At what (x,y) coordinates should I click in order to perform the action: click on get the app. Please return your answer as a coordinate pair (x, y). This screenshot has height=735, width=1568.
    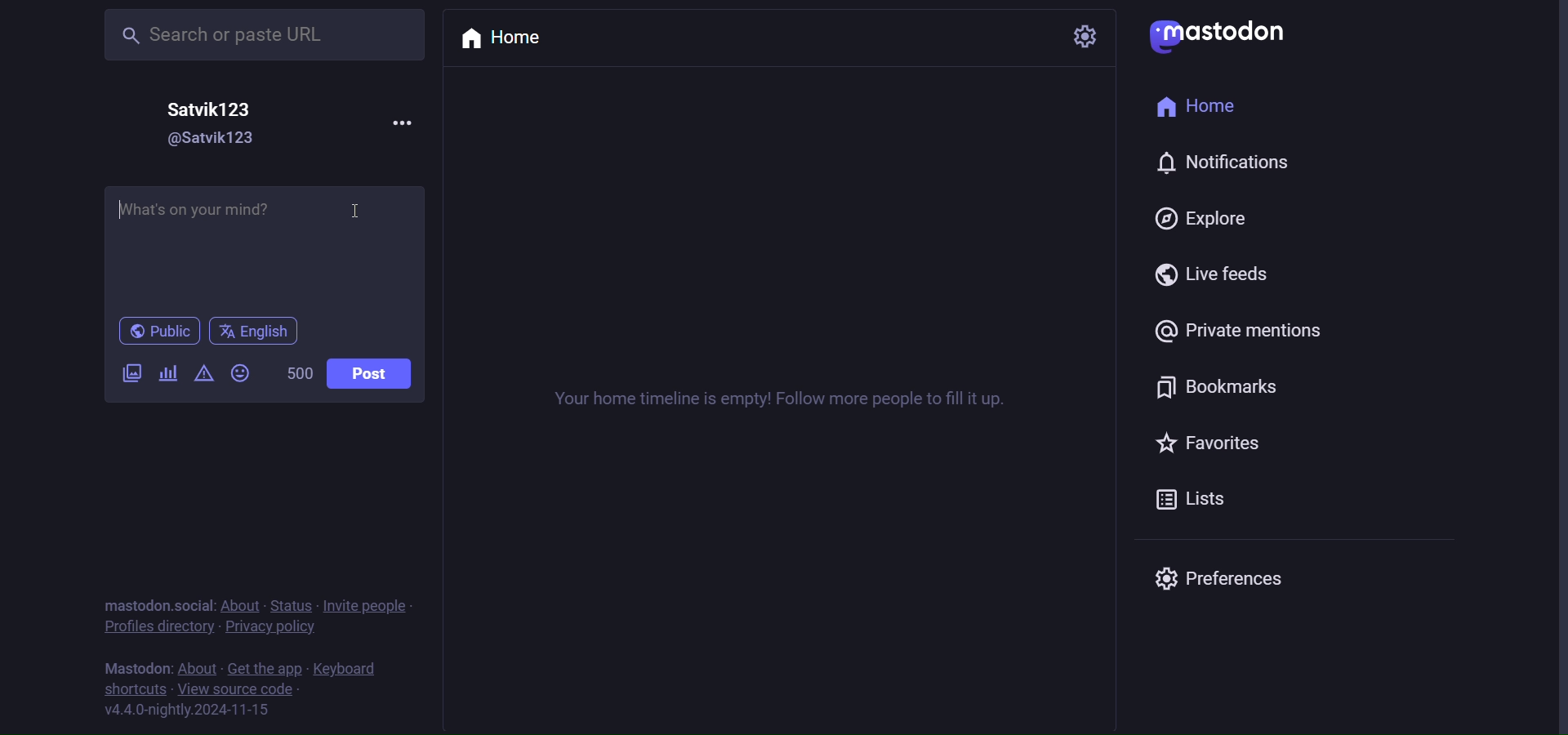
    Looking at the image, I should click on (264, 669).